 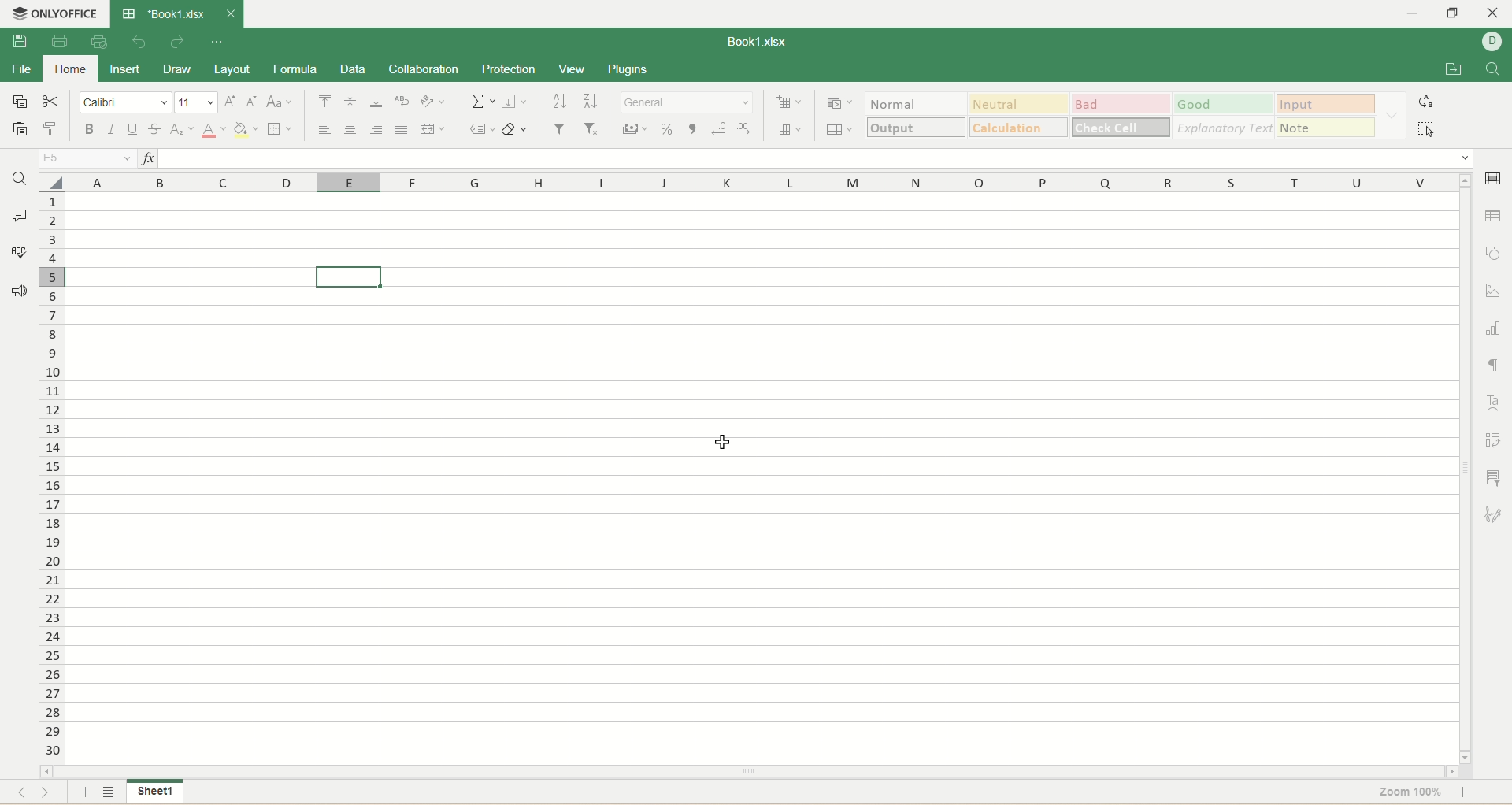 I want to click on protection, so click(x=510, y=70).